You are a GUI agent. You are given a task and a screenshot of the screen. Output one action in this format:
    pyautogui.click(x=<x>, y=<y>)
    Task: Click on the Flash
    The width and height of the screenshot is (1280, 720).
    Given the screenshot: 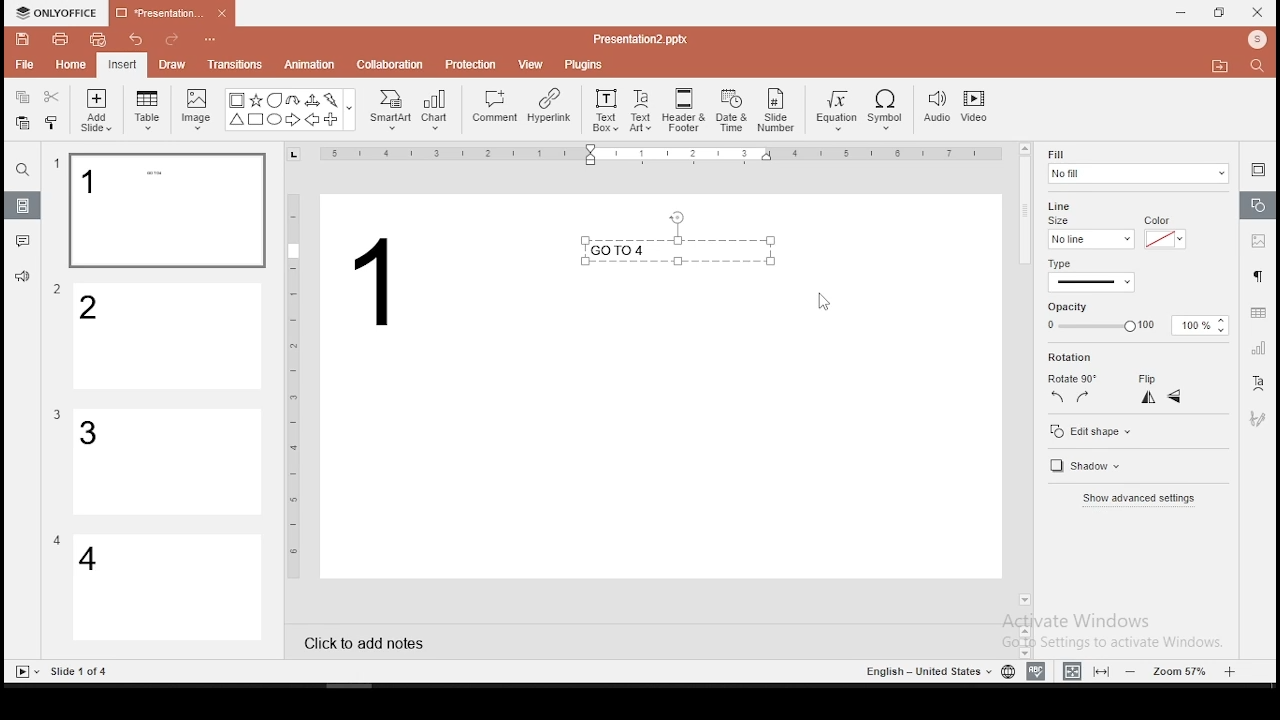 What is the action you would take?
    pyautogui.click(x=333, y=100)
    